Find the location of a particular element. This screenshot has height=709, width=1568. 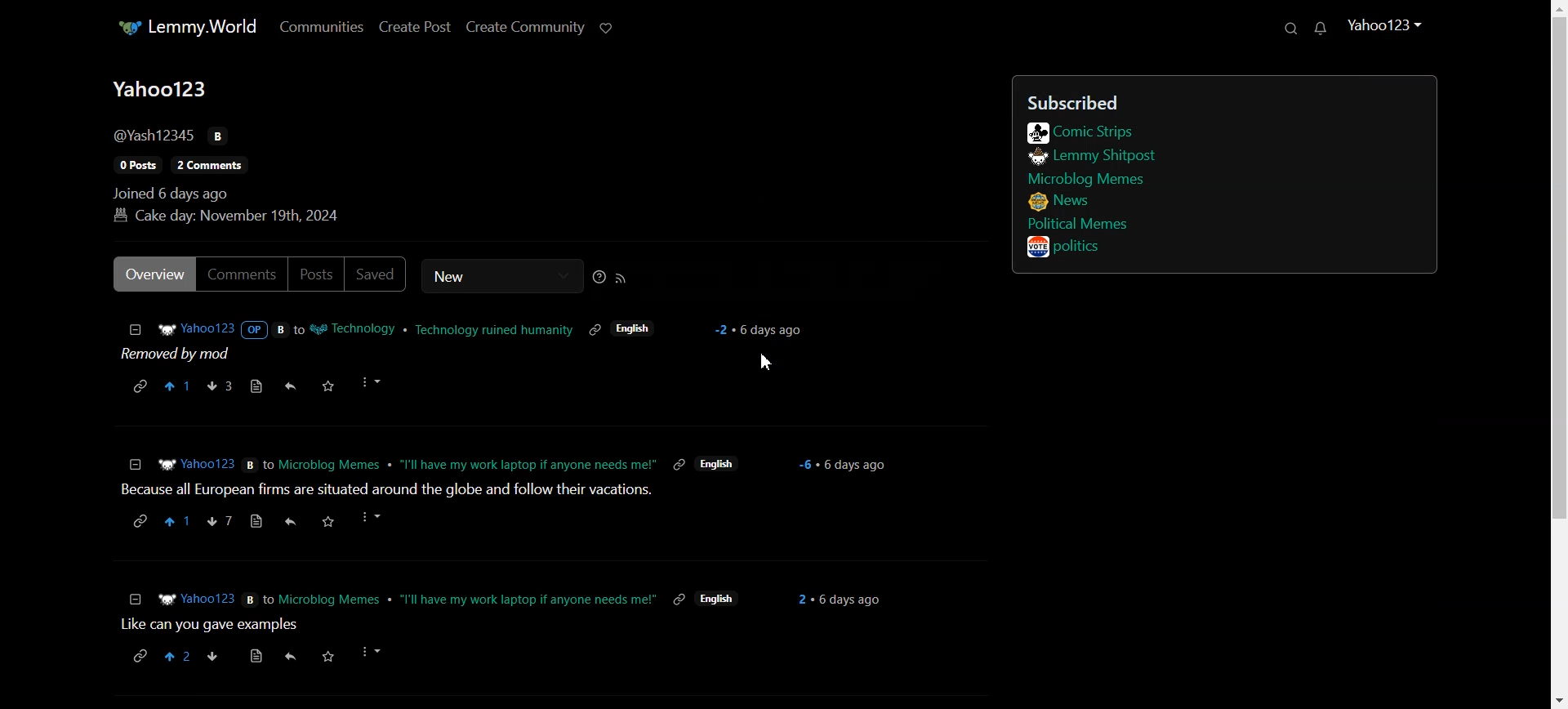

english is located at coordinates (716, 466).